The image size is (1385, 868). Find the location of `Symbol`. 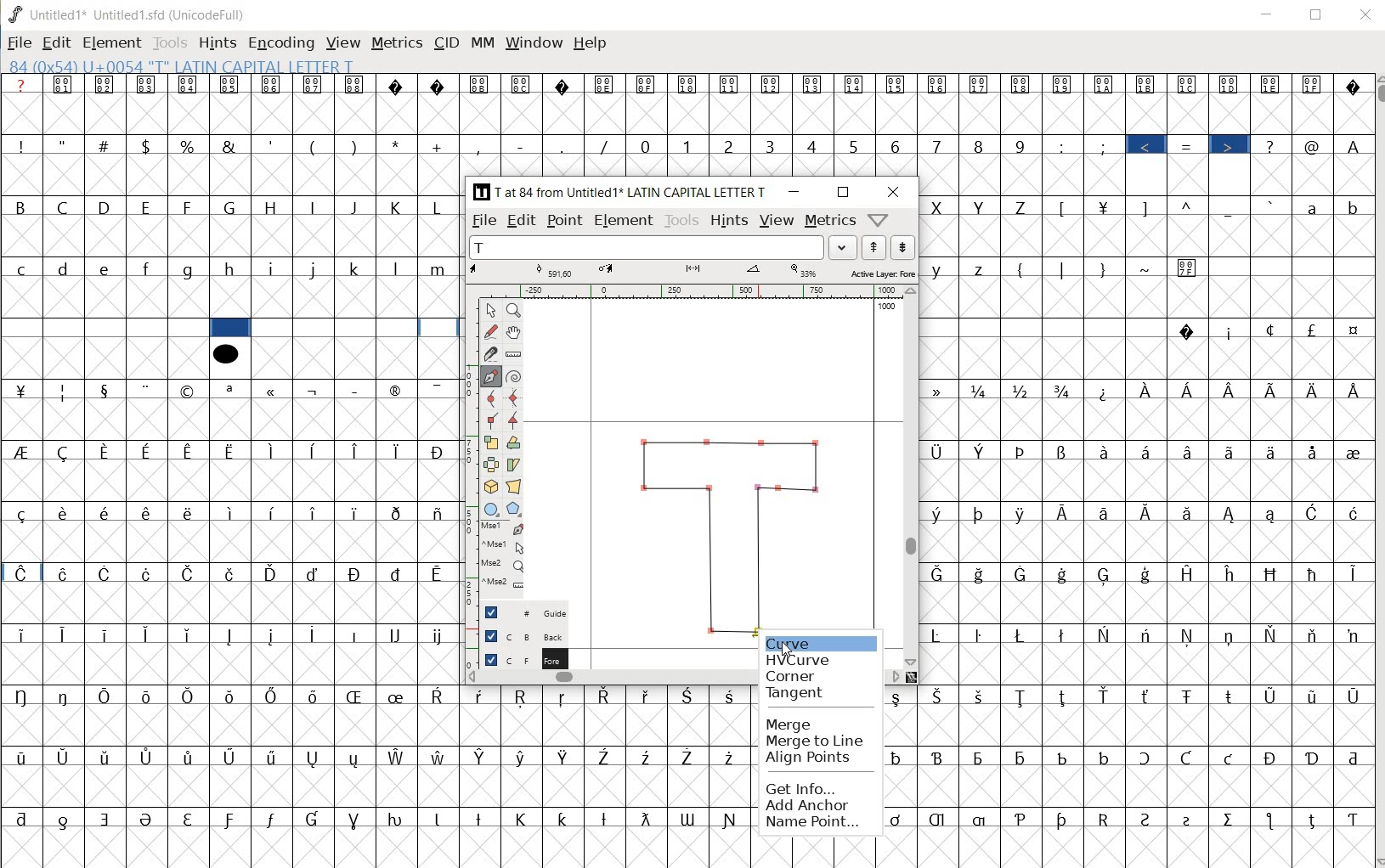

Symbol is located at coordinates (1024, 391).